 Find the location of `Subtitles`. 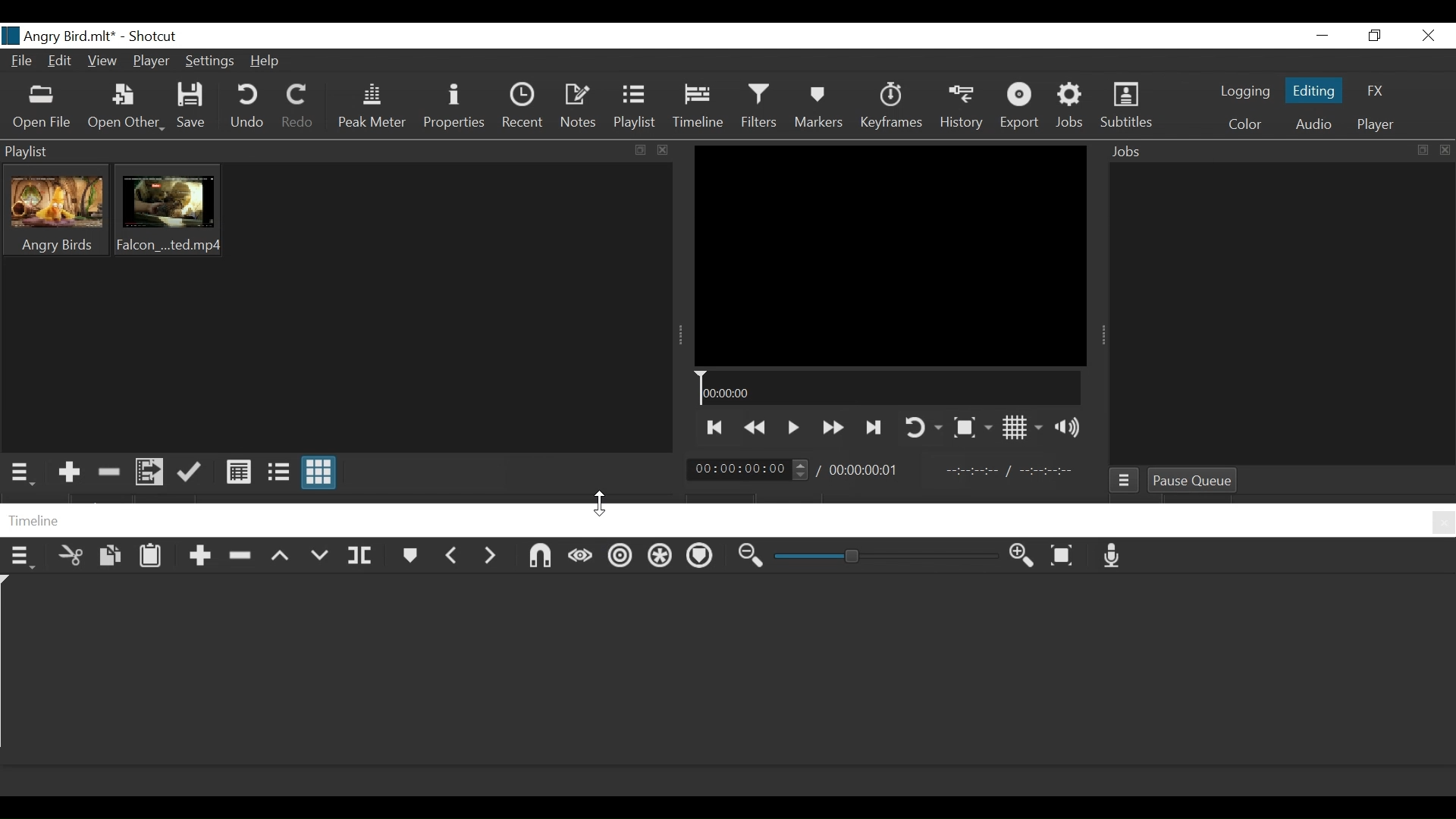

Subtitles is located at coordinates (1129, 106).